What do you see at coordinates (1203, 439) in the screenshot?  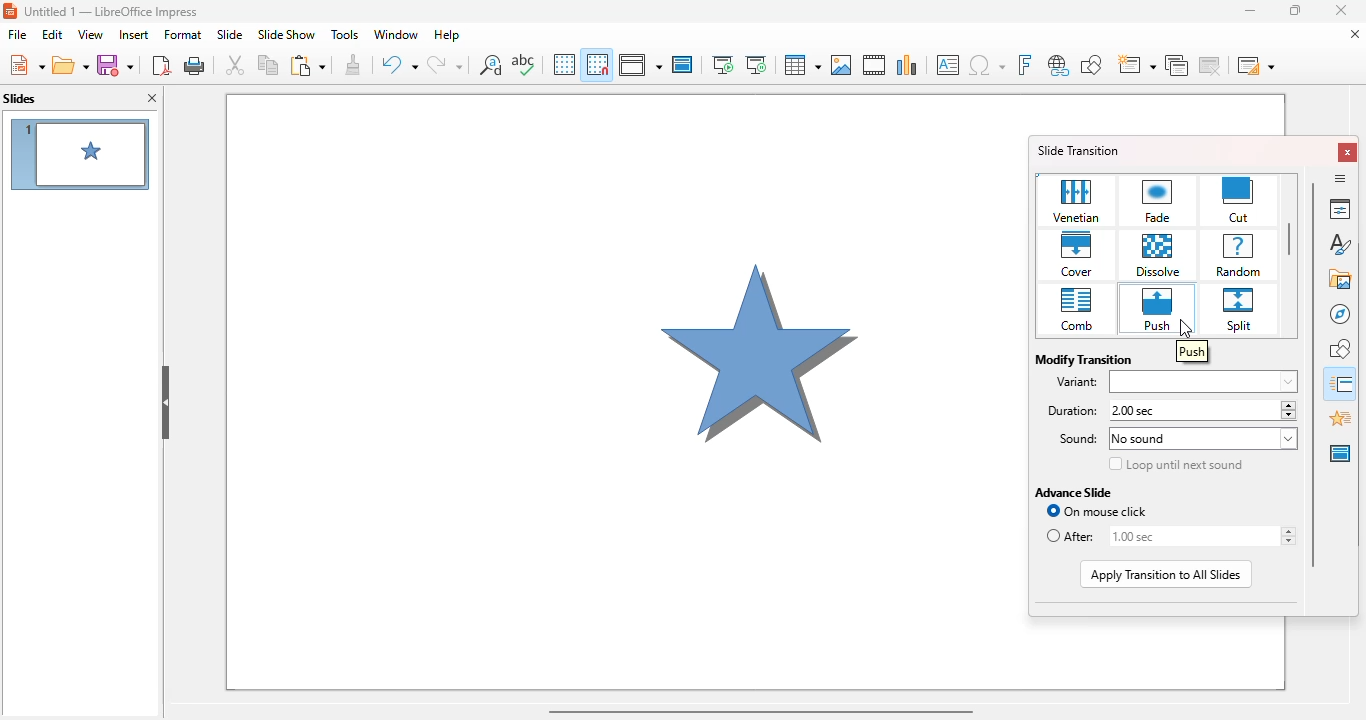 I see ` no sound` at bounding box center [1203, 439].